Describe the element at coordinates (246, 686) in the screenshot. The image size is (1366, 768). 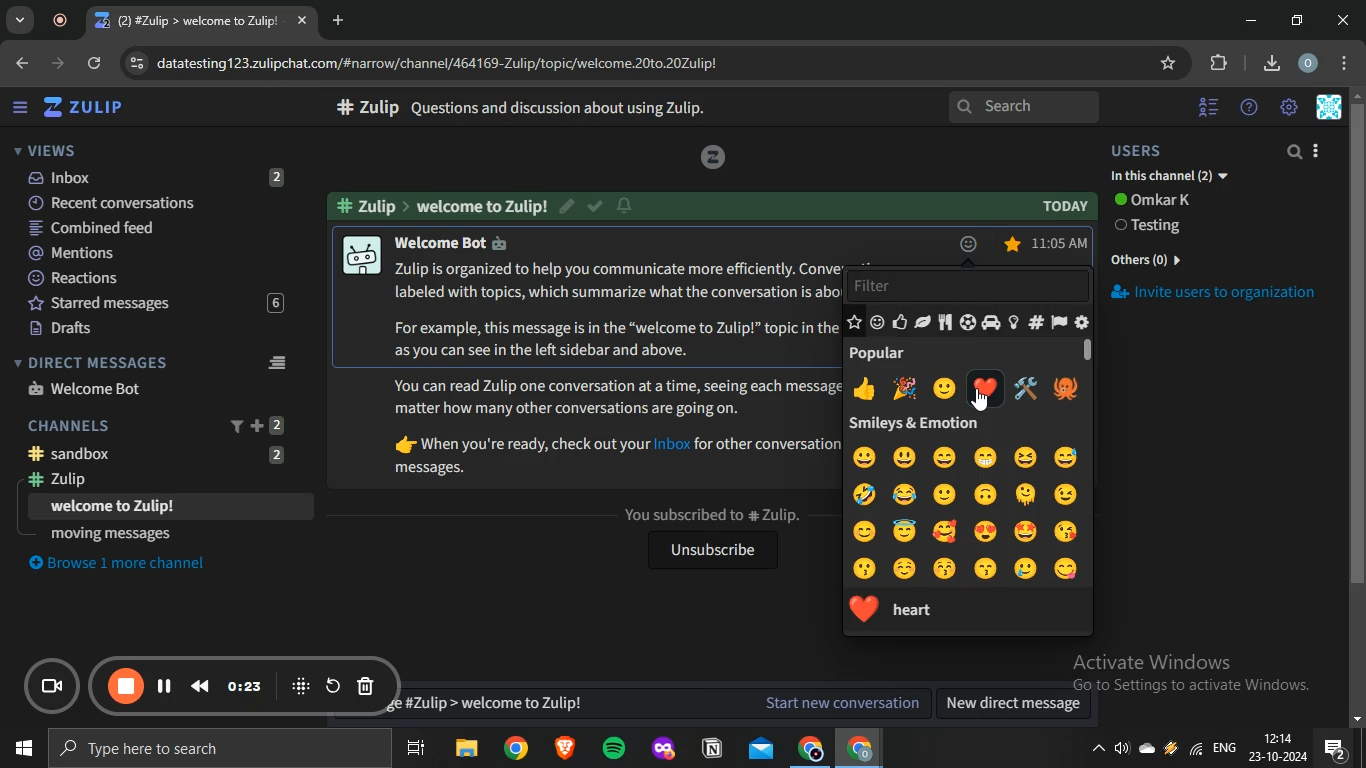
I see `timeline` at that location.